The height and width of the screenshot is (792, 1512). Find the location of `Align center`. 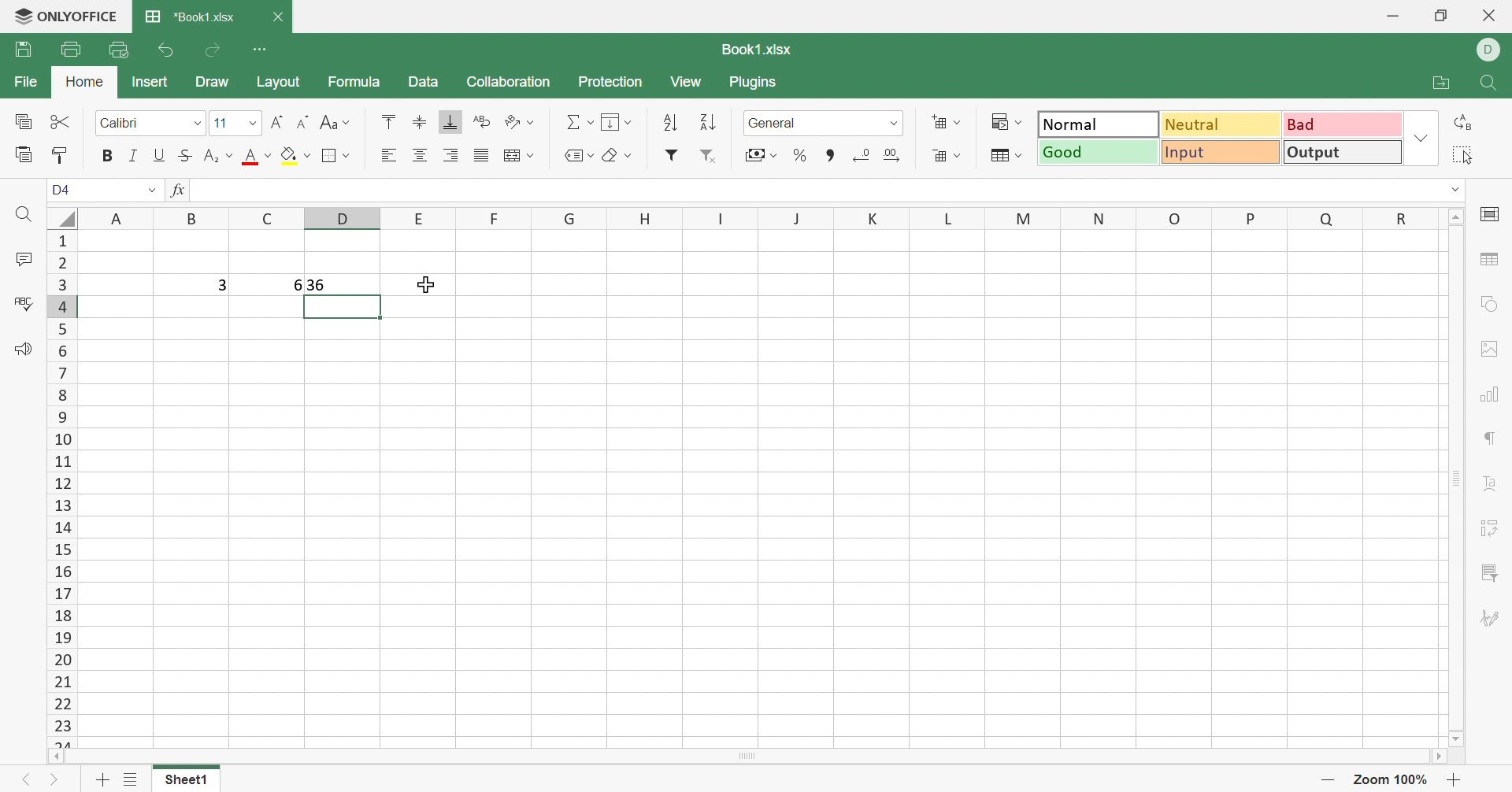

Align center is located at coordinates (423, 154).